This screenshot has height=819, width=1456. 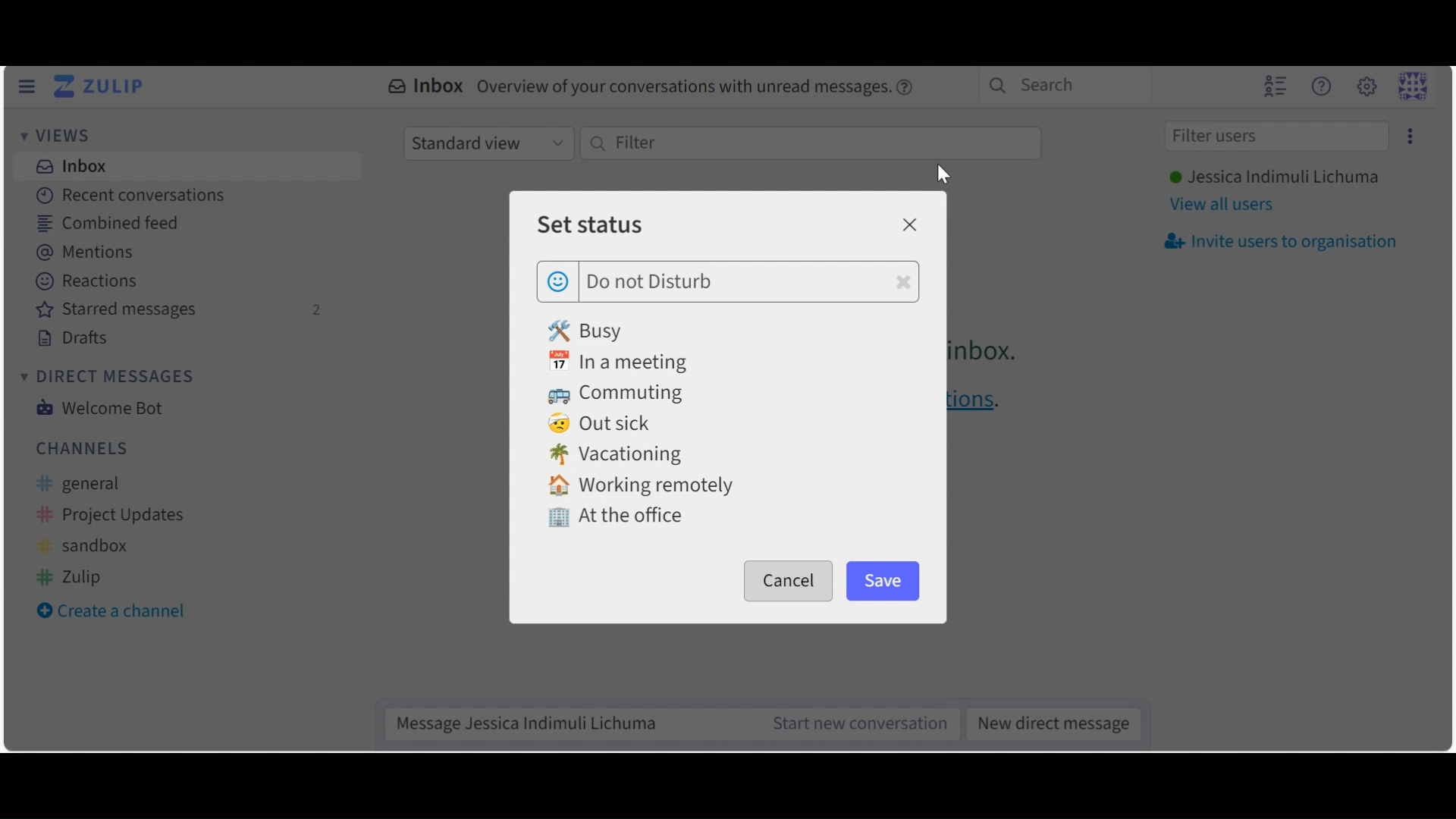 I want to click on Out Sick, so click(x=603, y=425).